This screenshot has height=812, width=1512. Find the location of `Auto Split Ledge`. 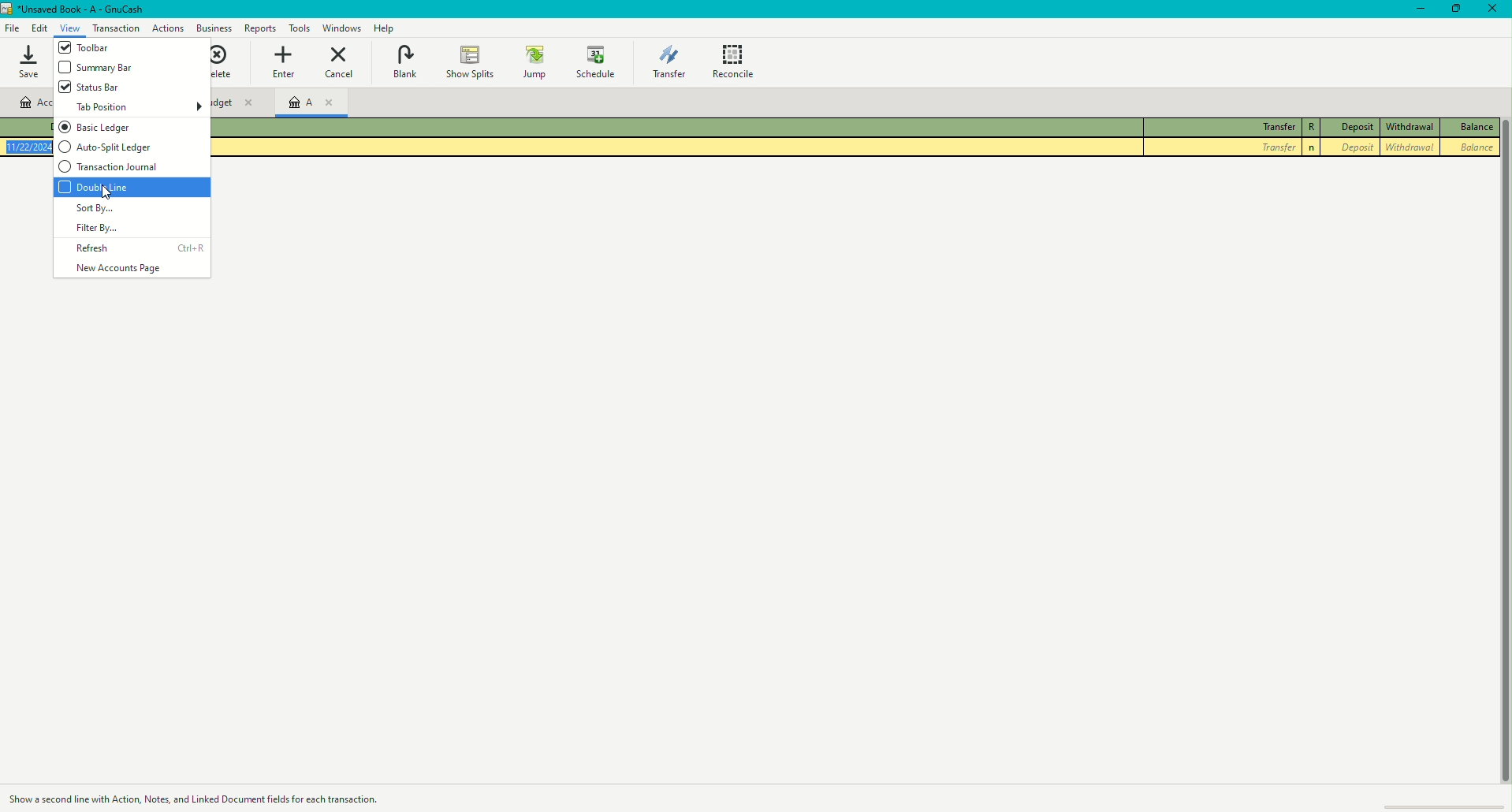

Auto Split Ledge is located at coordinates (126, 147).